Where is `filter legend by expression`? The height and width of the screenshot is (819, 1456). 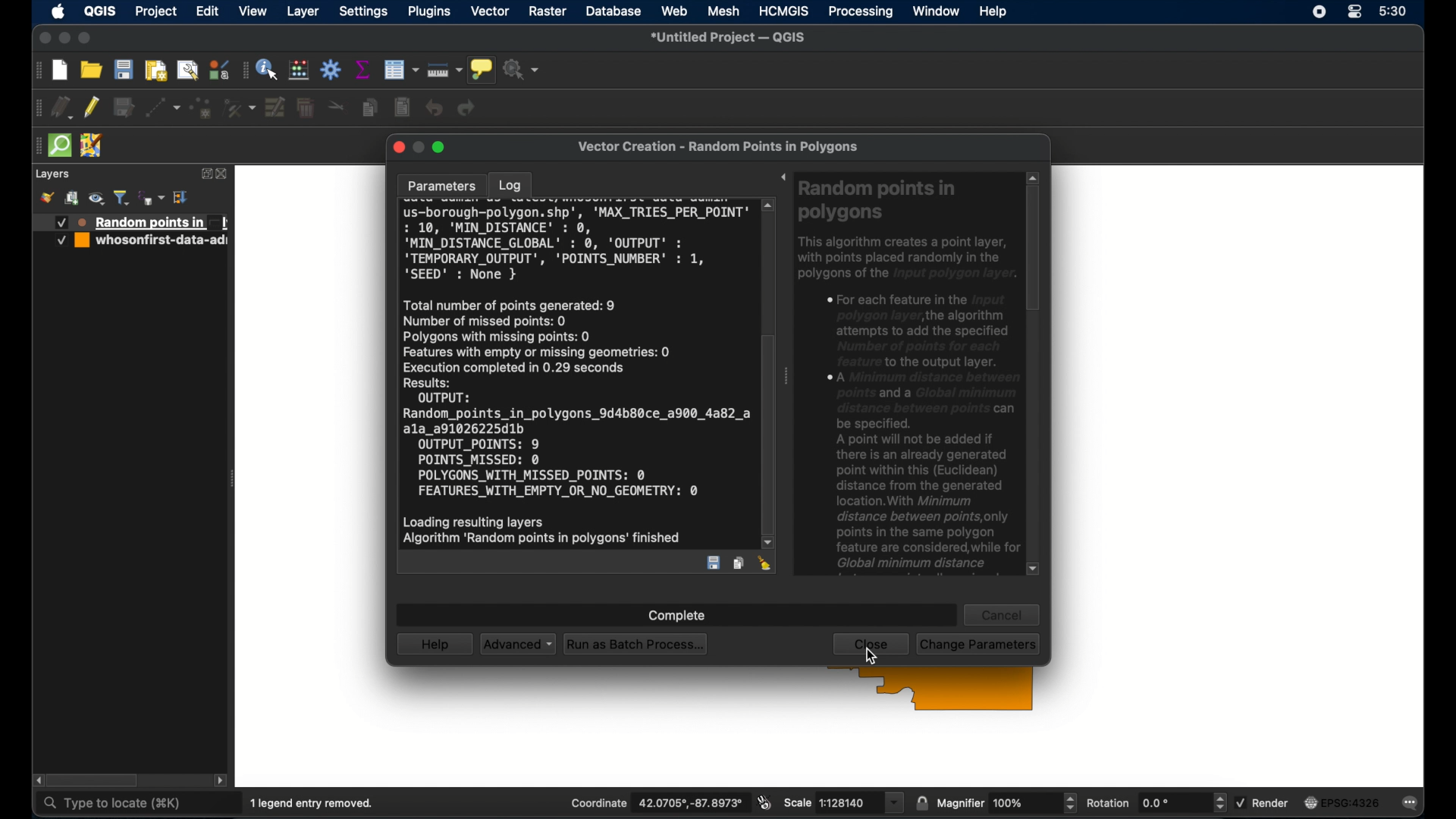 filter legend by expression is located at coordinates (152, 198).